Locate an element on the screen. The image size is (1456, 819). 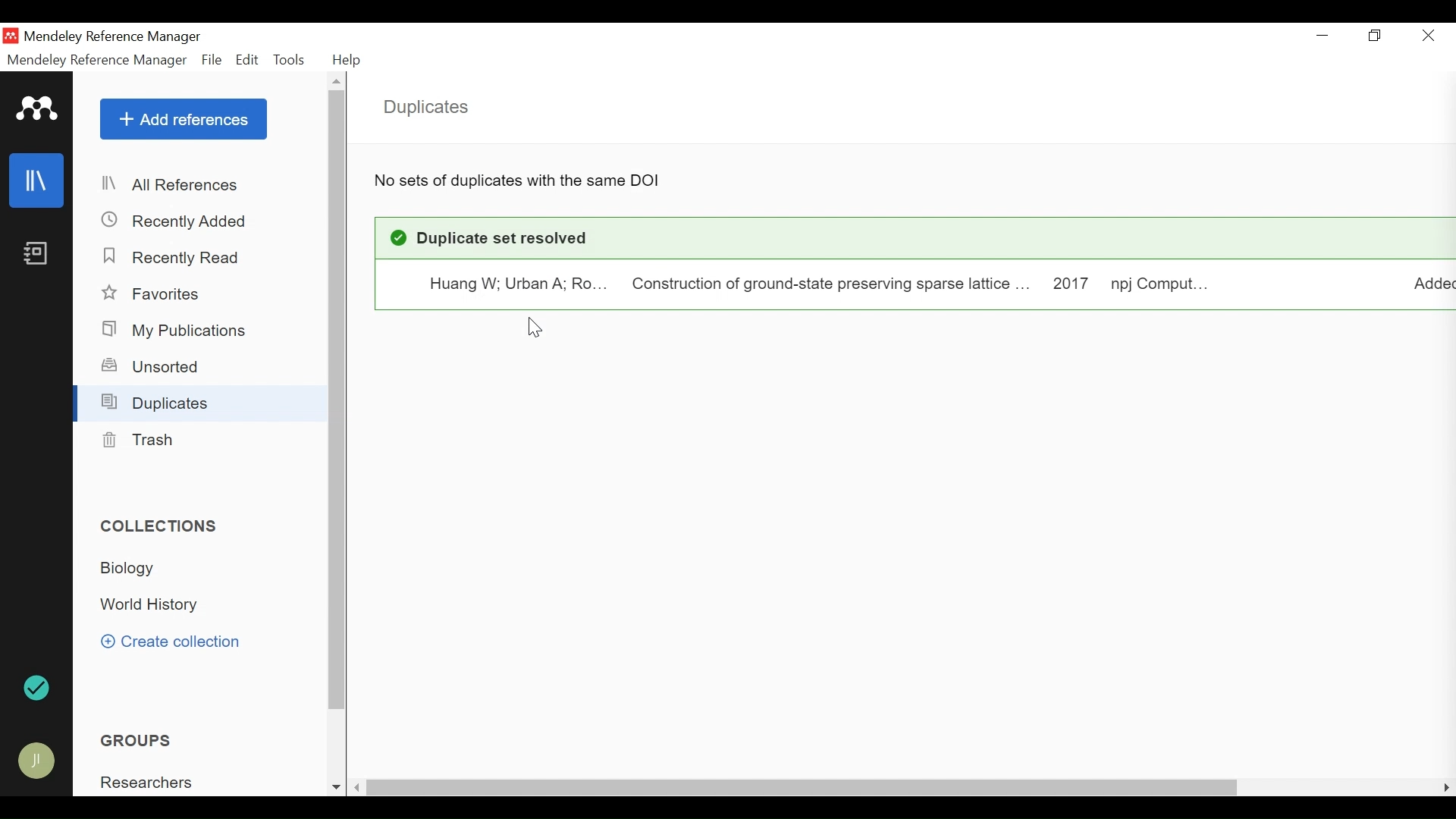
Add References is located at coordinates (184, 120).